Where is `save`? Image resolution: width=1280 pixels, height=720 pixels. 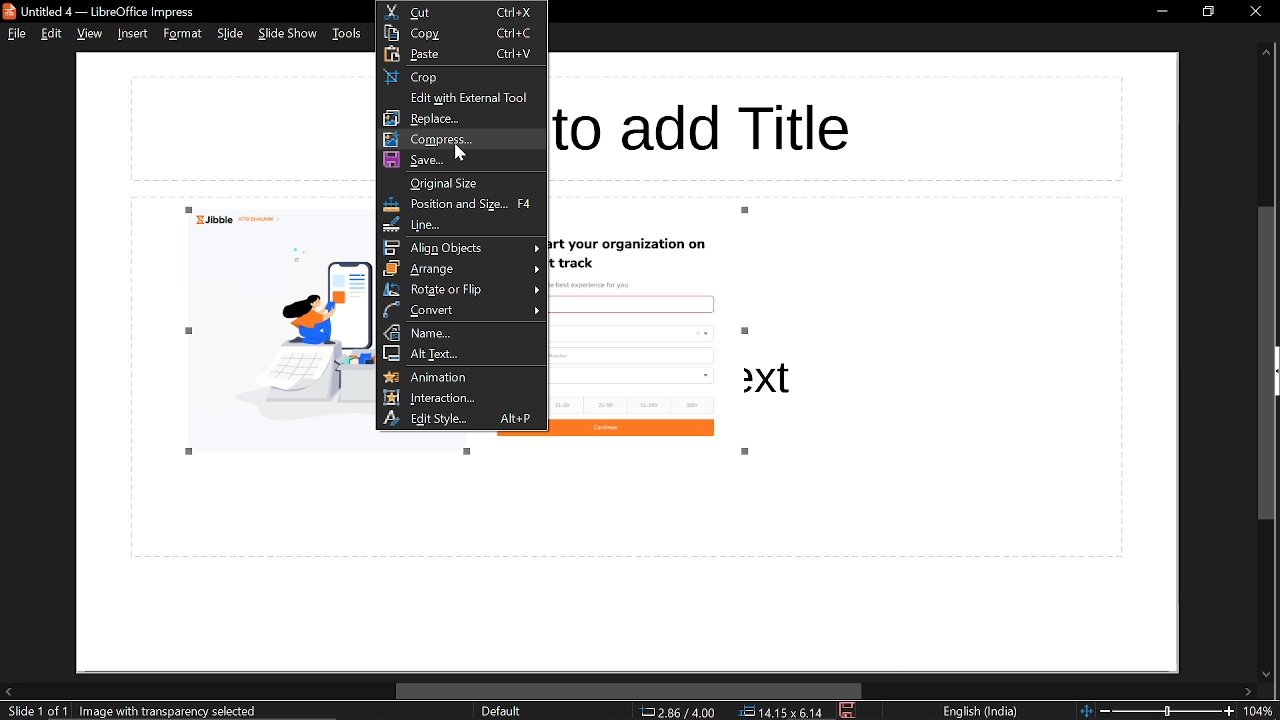
save is located at coordinates (849, 711).